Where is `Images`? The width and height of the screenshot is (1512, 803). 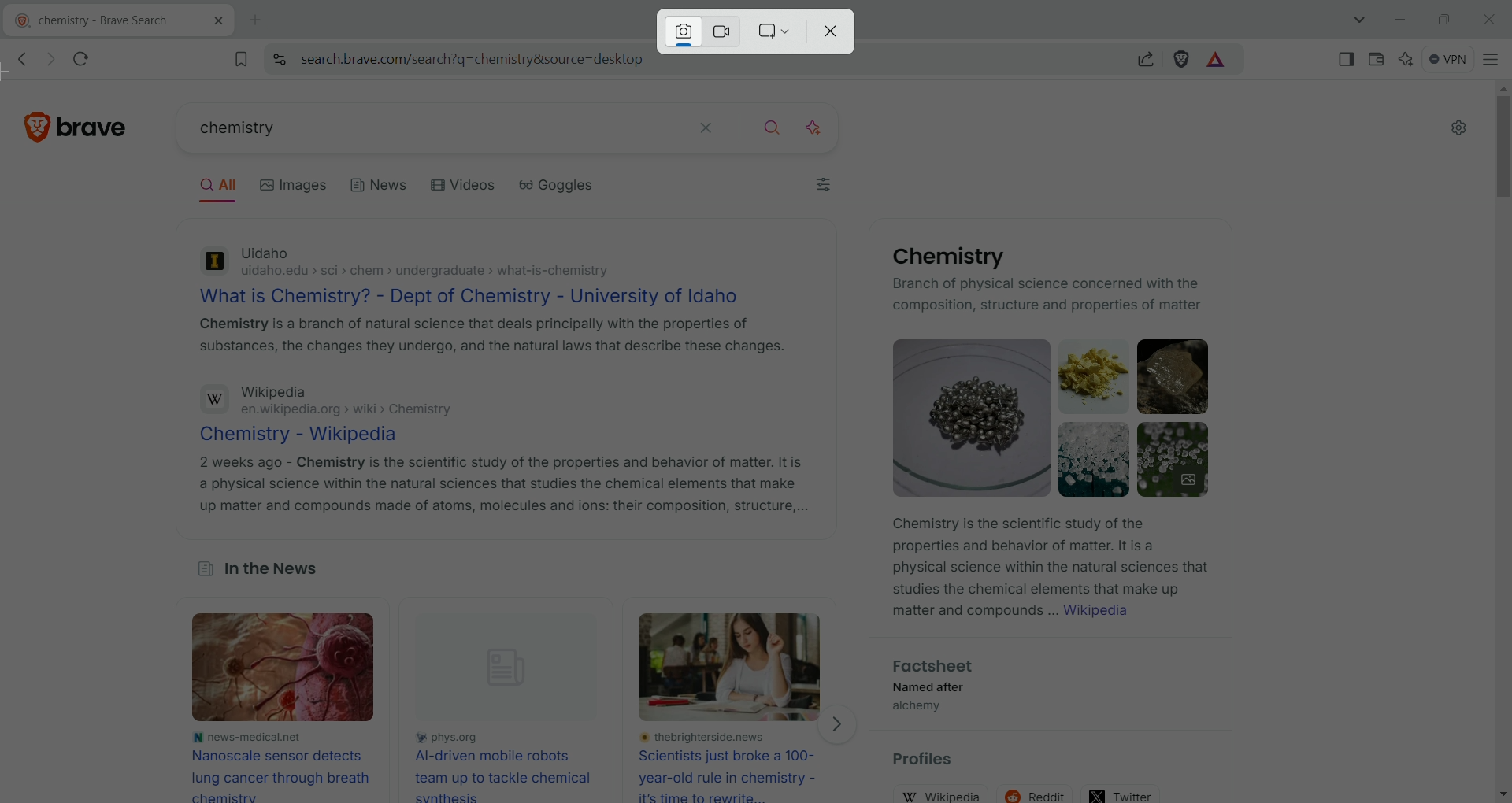
Images is located at coordinates (301, 185).